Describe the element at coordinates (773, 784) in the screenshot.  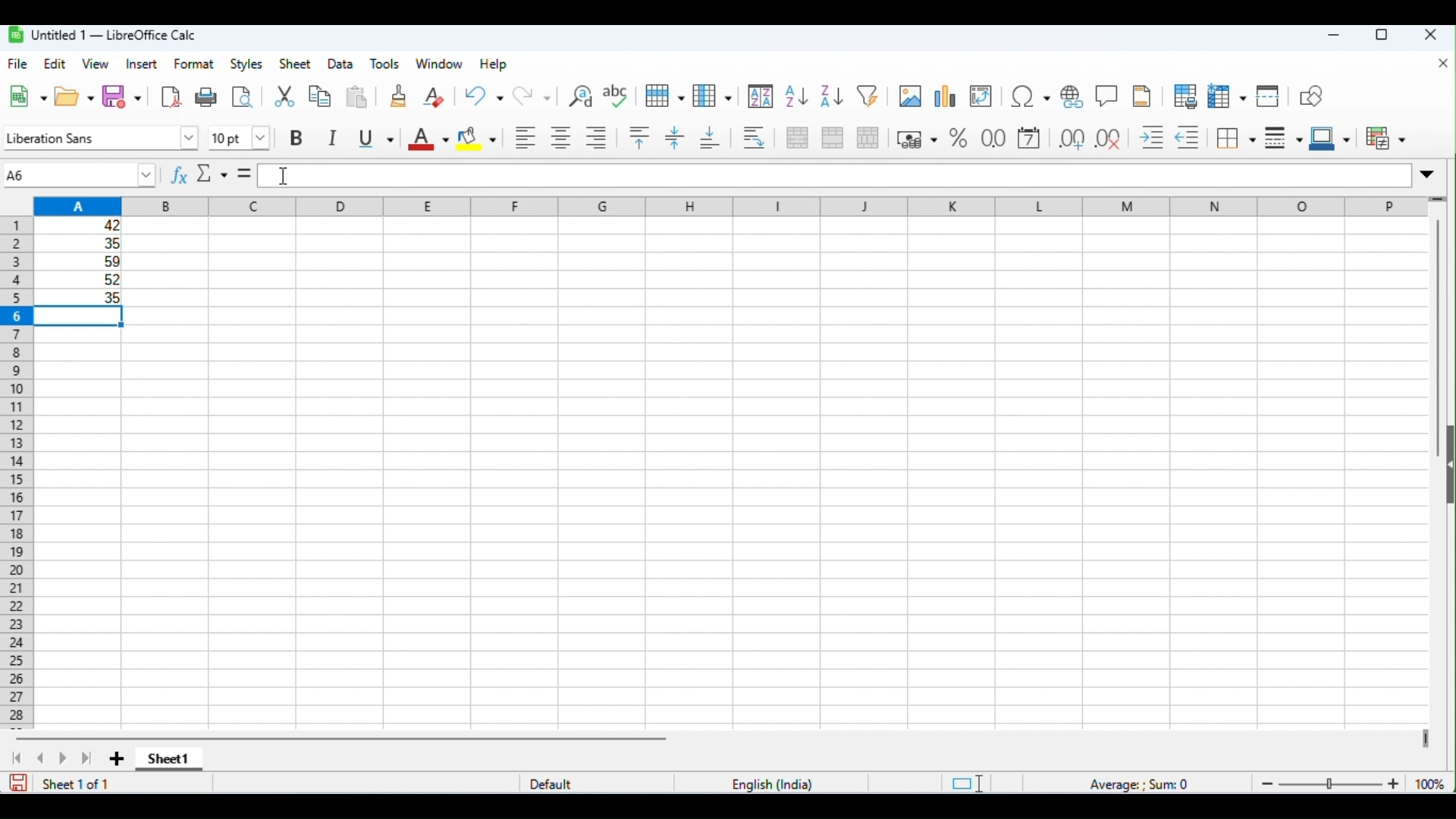
I see `language` at that location.